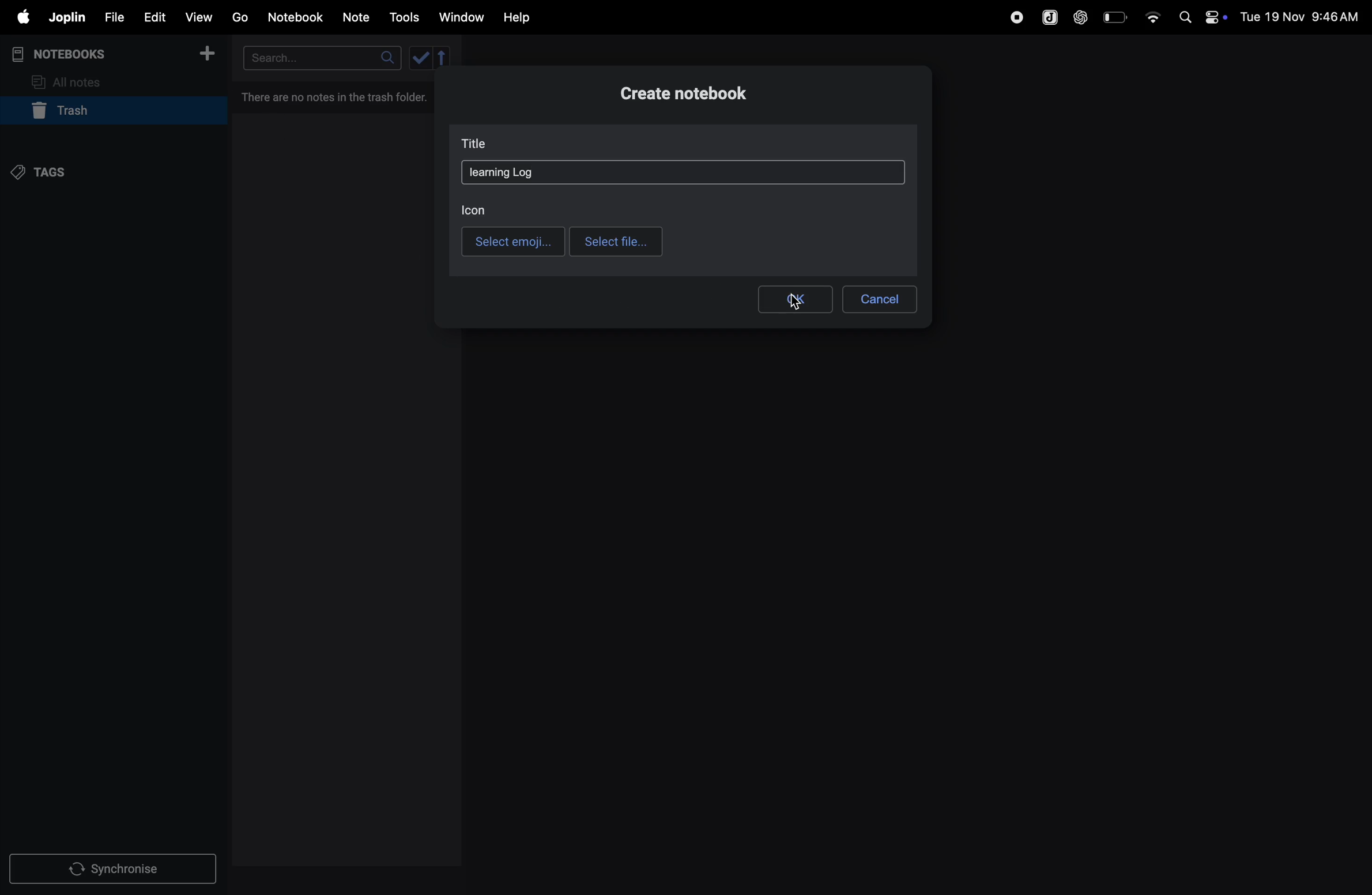 Image resolution: width=1372 pixels, height=895 pixels. What do you see at coordinates (402, 17) in the screenshot?
I see `tools` at bounding box center [402, 17].